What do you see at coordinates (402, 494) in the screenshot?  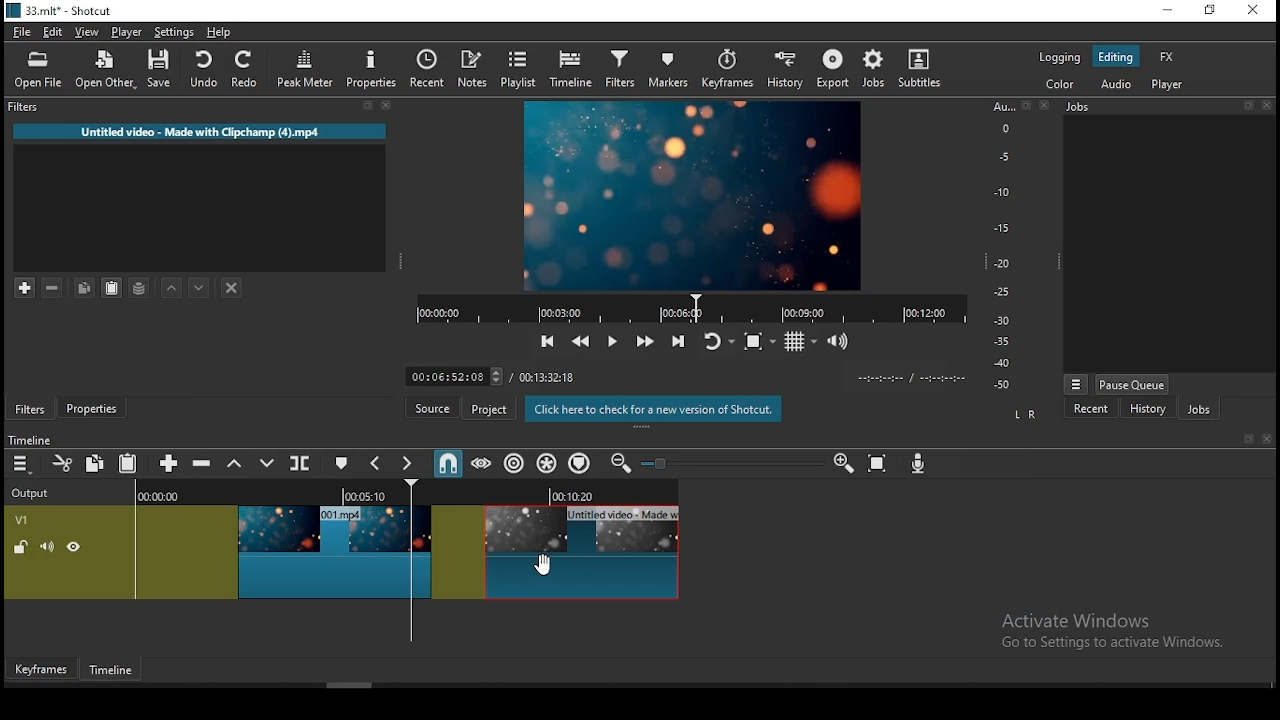 I see `track` at bounding box center [402, 494].